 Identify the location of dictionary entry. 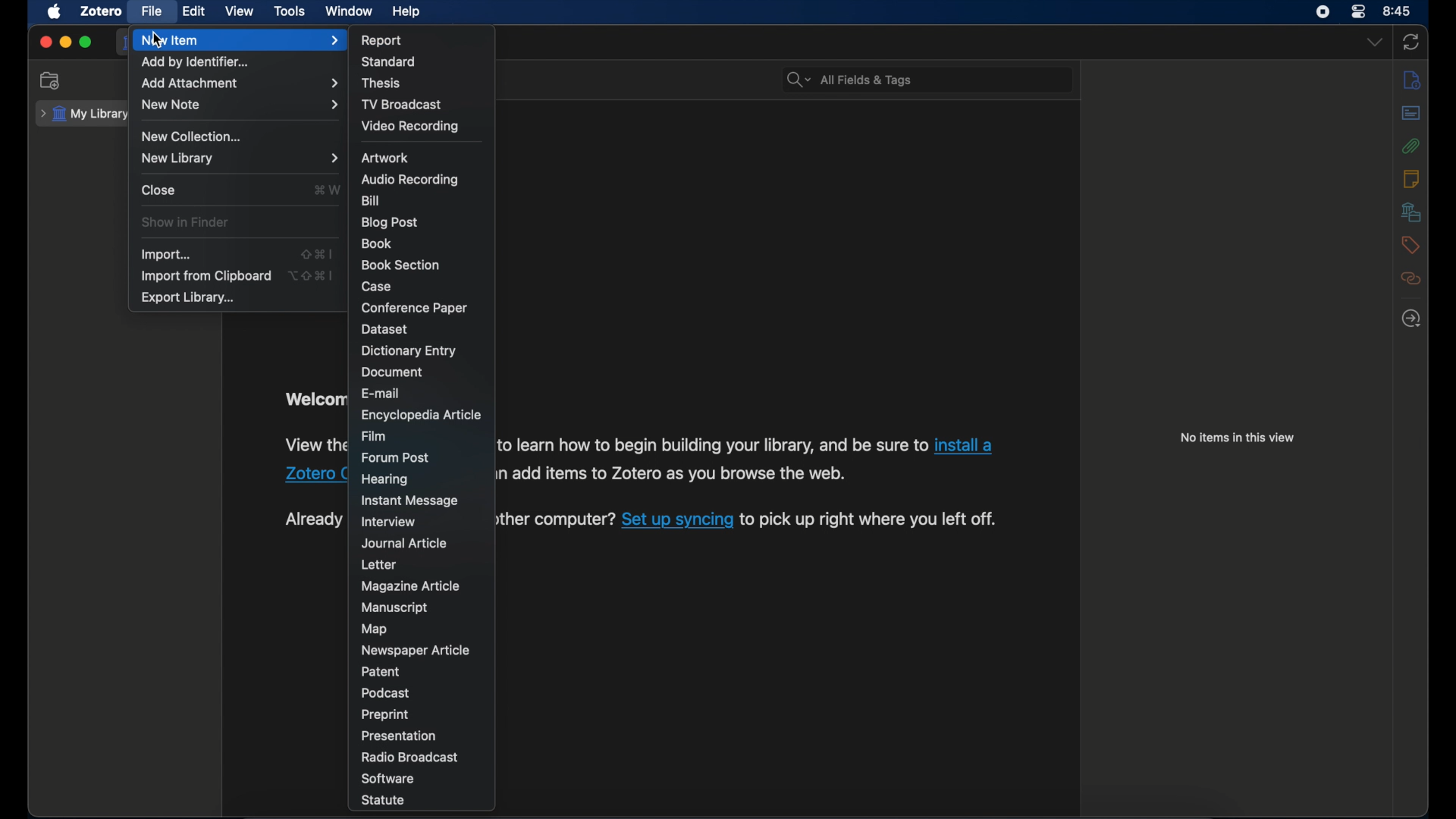
(409, 351).